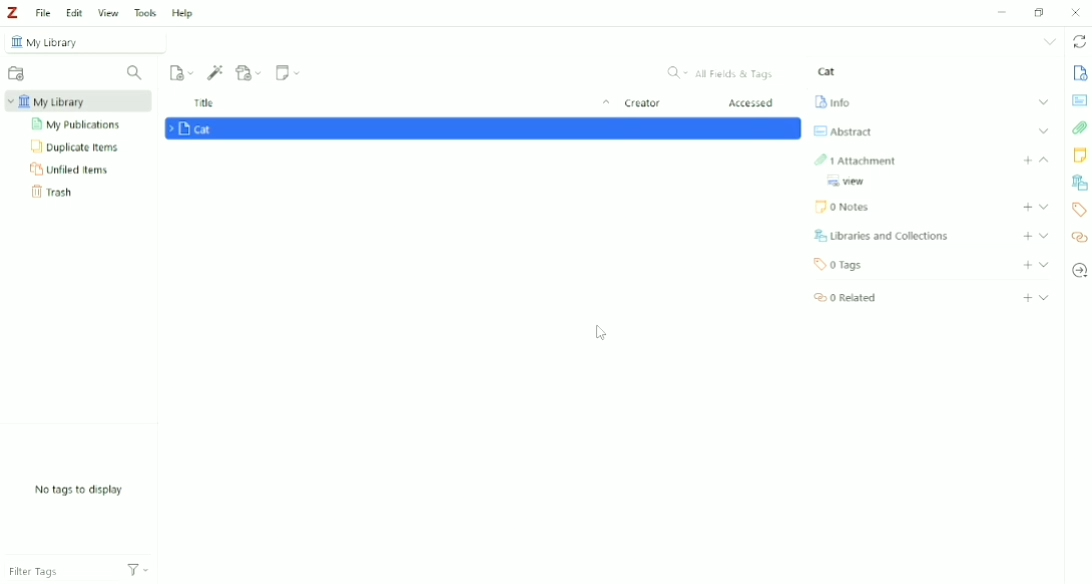  Describe the element at coordinates (1079, 183) in the screenshot. I see `Libraries and Collections` at that location.